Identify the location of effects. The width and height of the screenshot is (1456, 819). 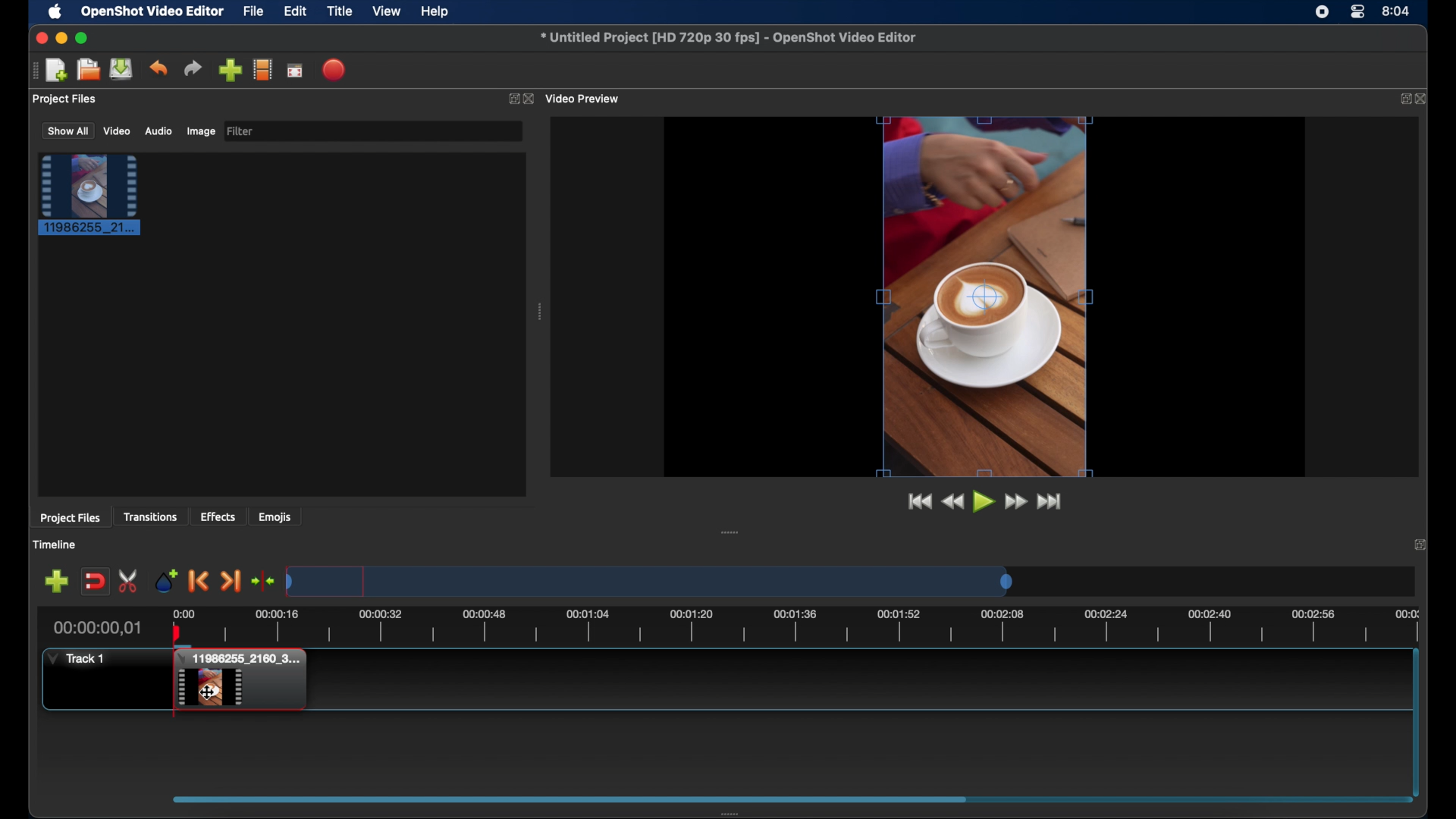
(218, 516).